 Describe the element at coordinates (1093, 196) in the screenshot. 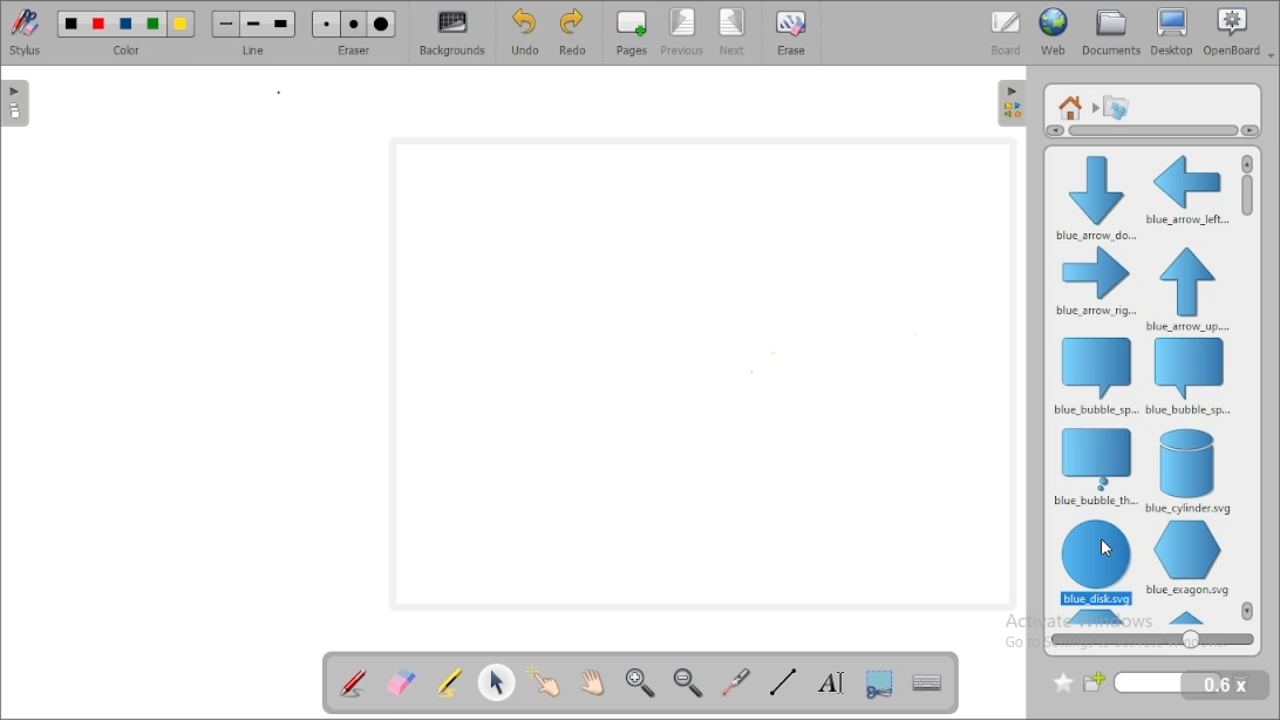

I see `blue arrow down` at that location.